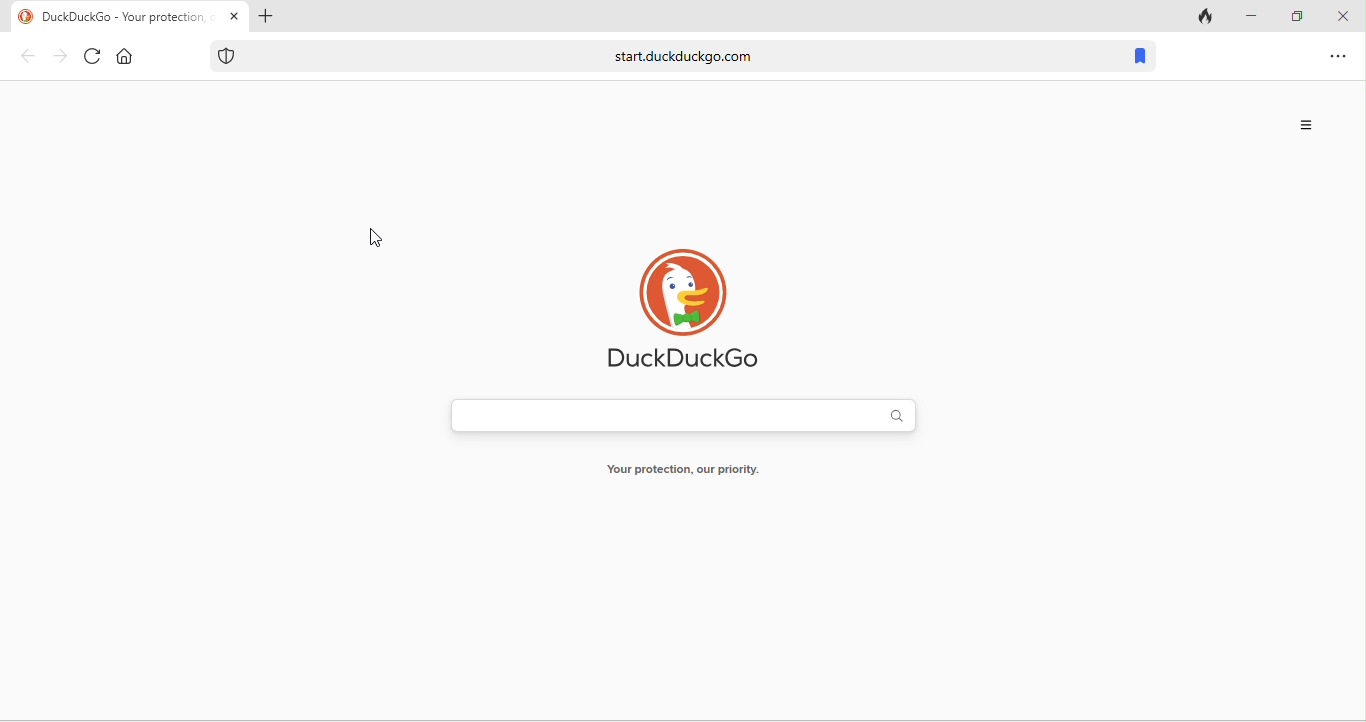 The height and width of the screenshot is (722, 1366). Describe the element at coordinates (1209, 17) in the screenshot. I see `track tab` at that location.